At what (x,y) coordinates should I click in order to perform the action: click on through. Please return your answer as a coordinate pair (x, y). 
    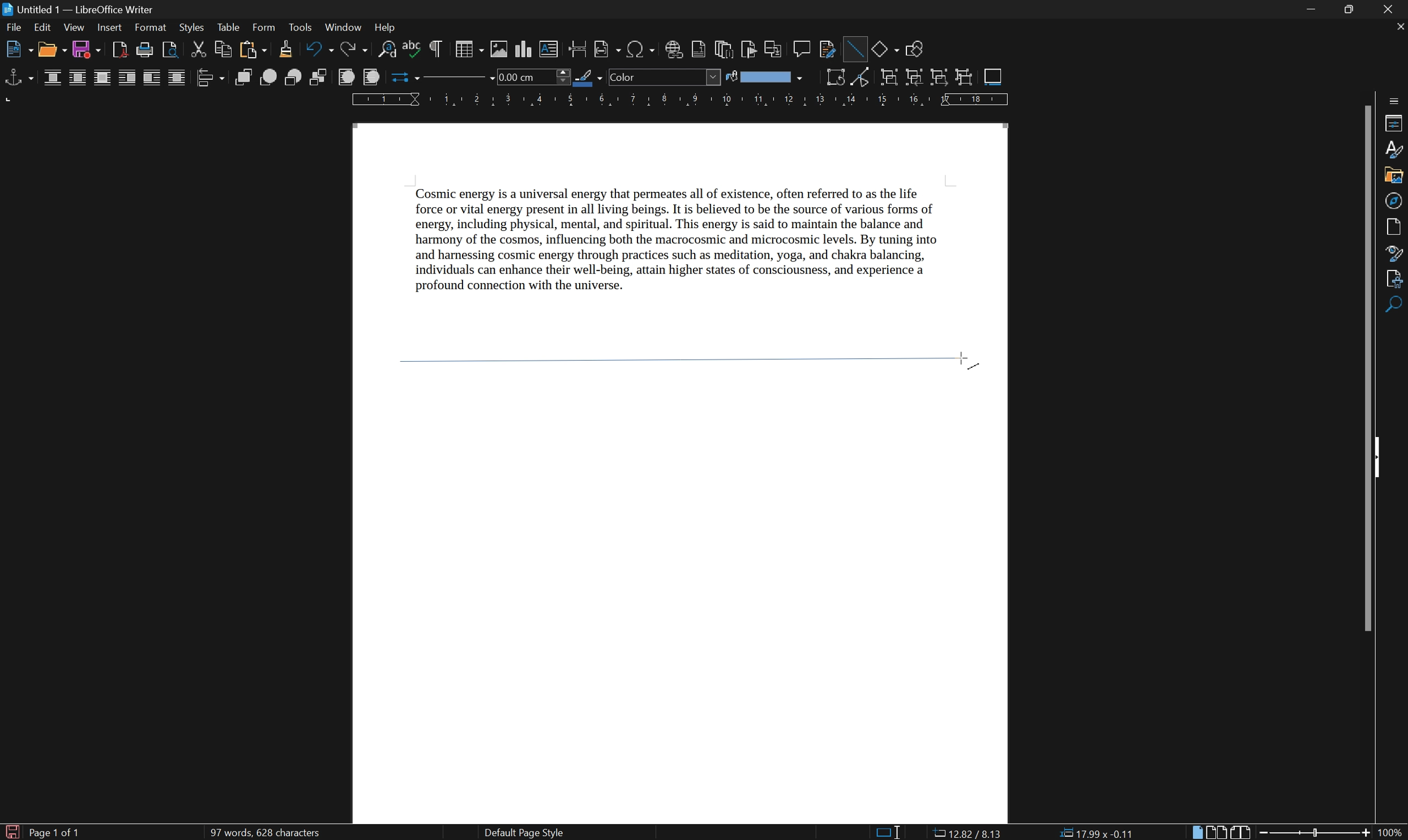
    Looking at the image, I should click on (177, 78).